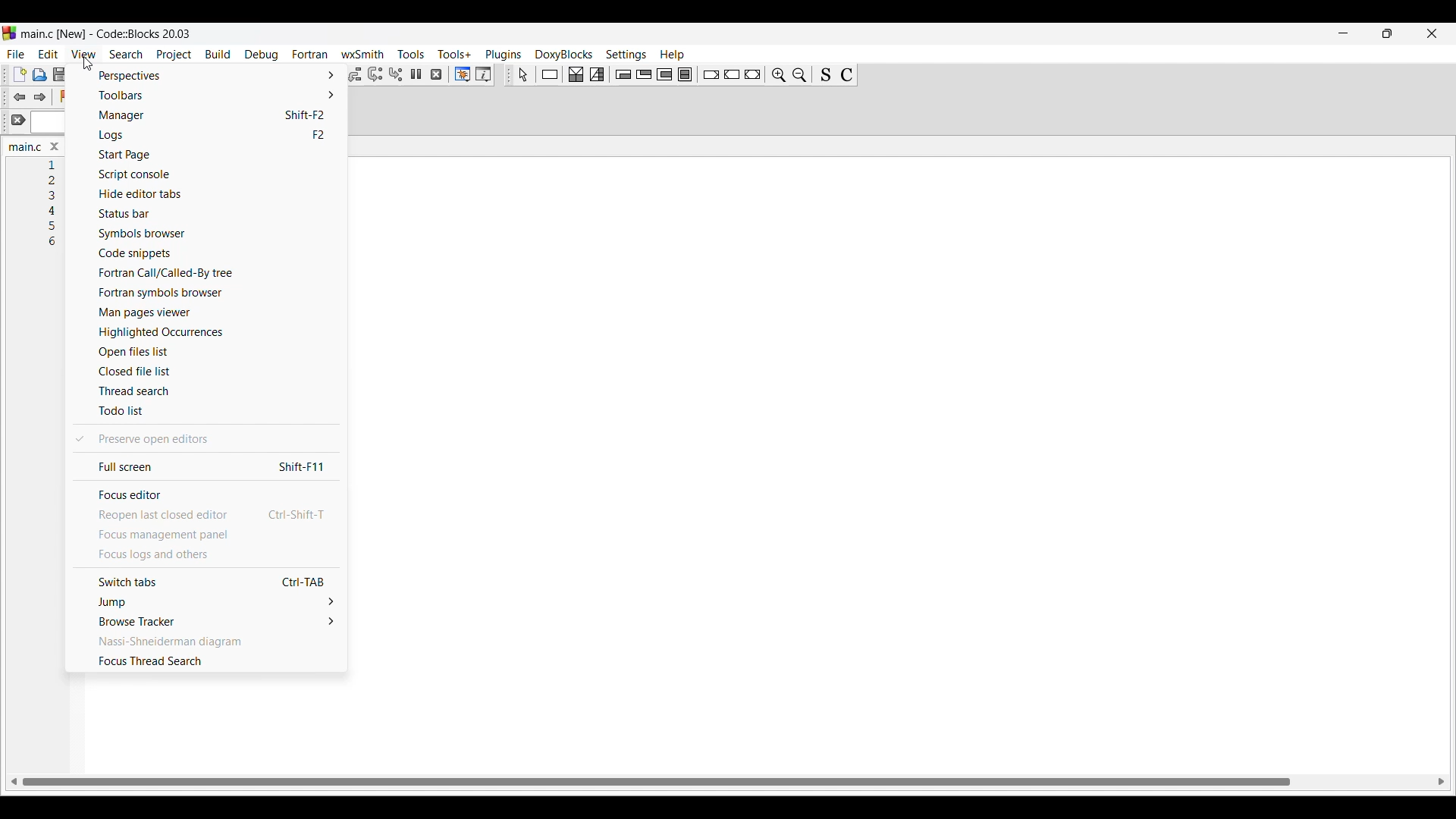 The image size is (1456, 819). I want to click on Nassi-Shneiderman diagram, so click(205, 642).